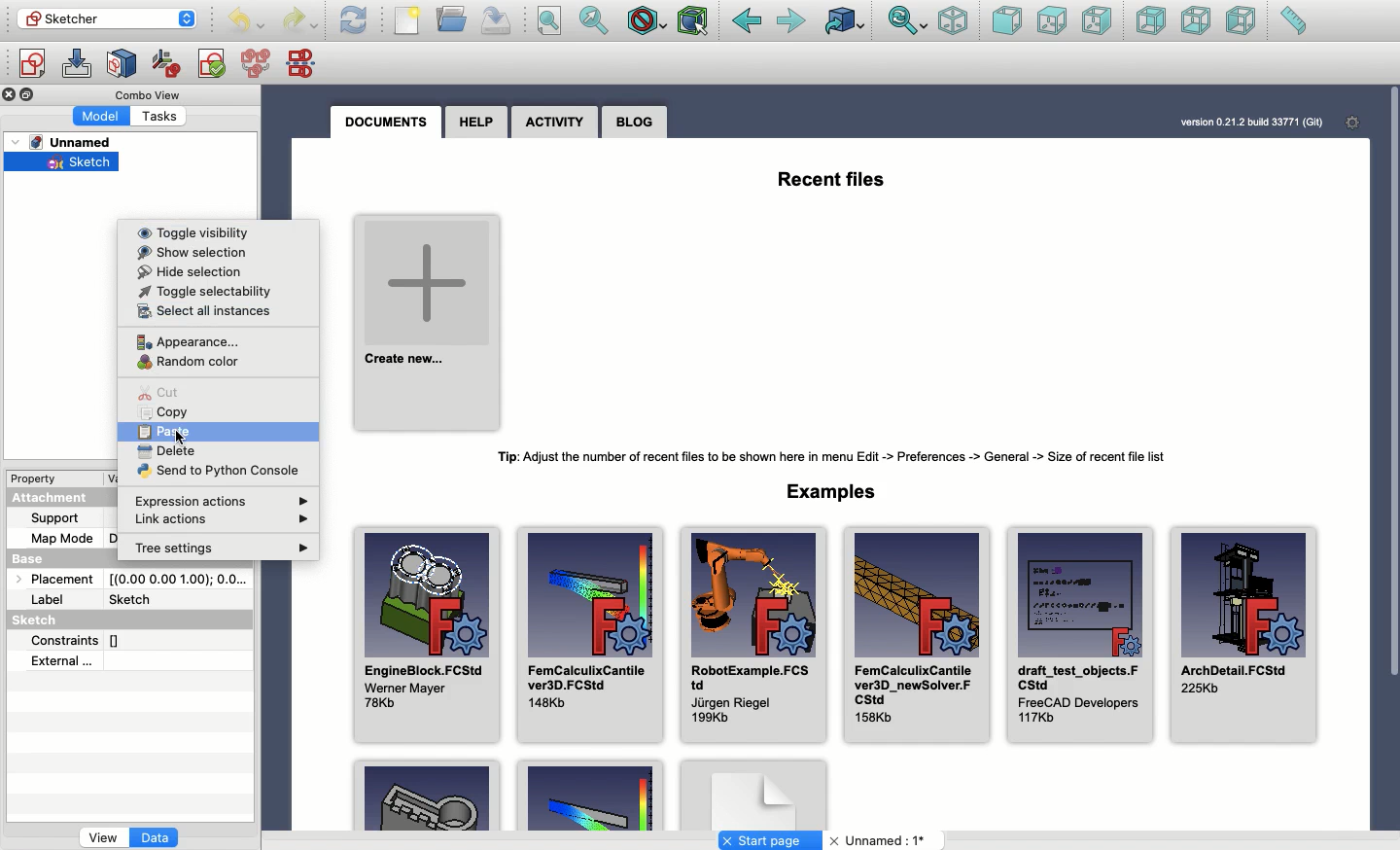  Describe the element at coordinates (694, 22) in the screenshot. I see `Bounding box` at that location.